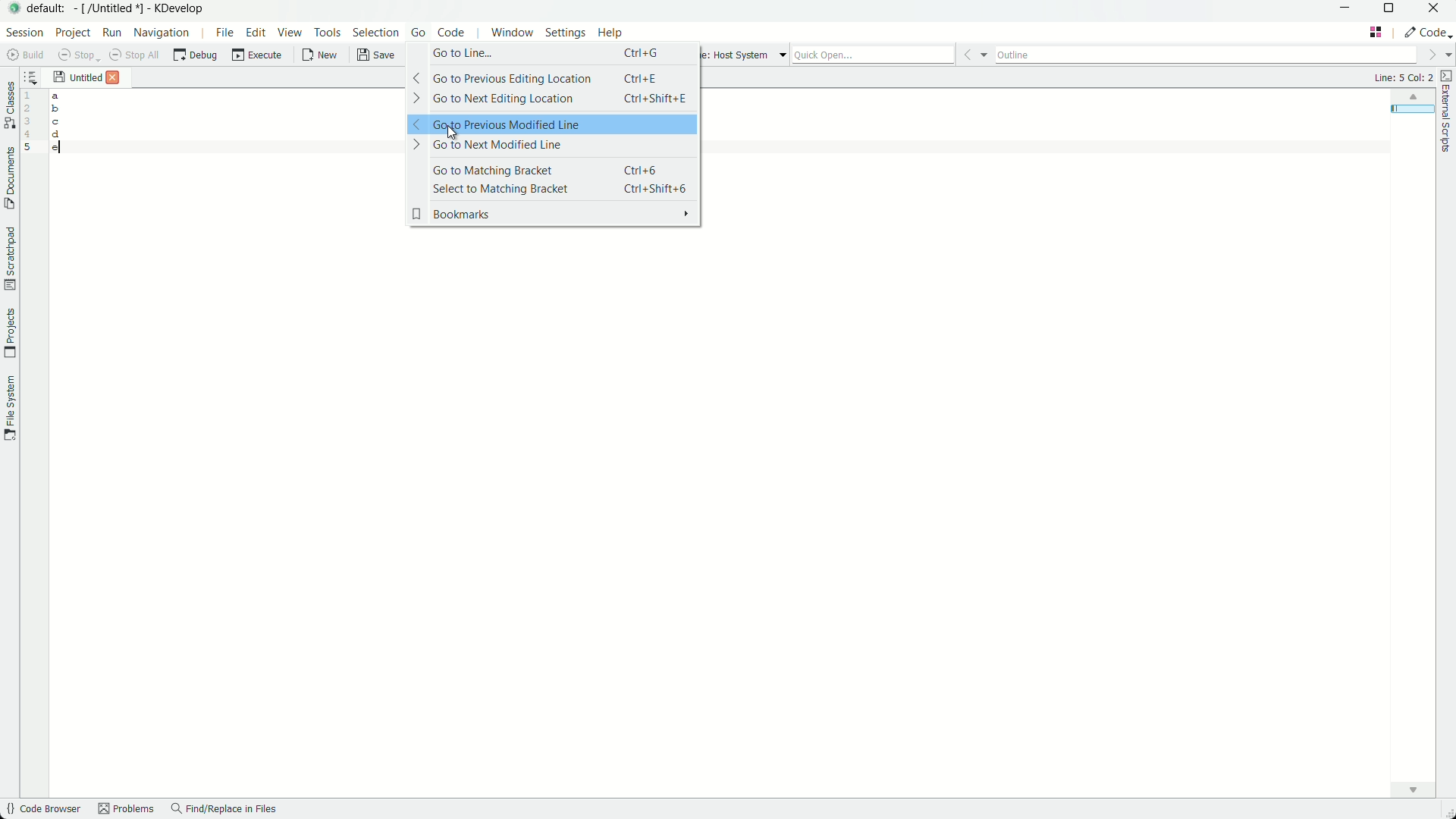 Image resolution: width=1456 pixels, height=819 pixels. Describe the element at coordinates (9, 180) in the screenshot. I see `documents` at that location.